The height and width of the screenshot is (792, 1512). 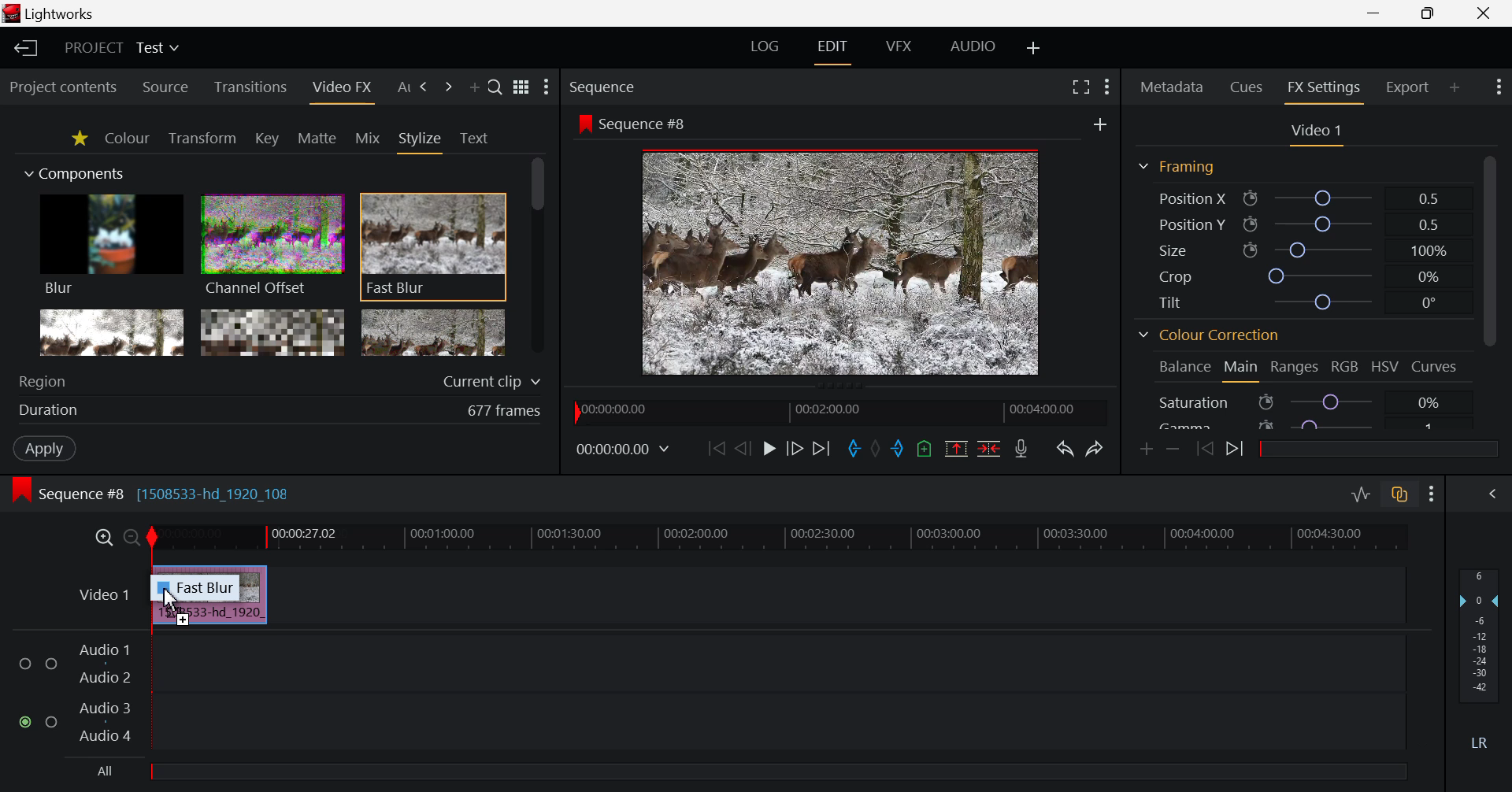 I want to click on Show Settings, so click(x=1106, y=87).